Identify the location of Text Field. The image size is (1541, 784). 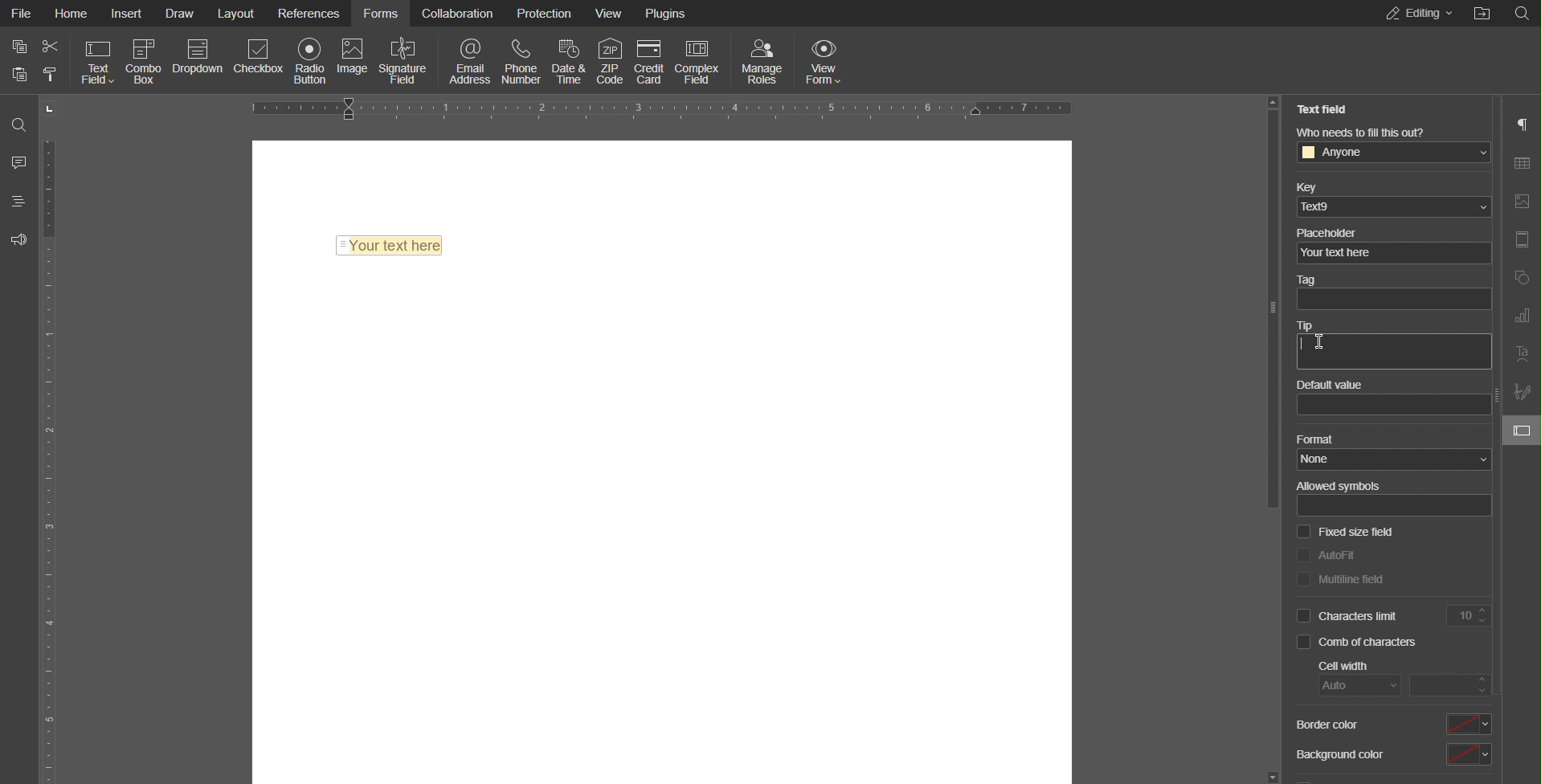
(98, 61).